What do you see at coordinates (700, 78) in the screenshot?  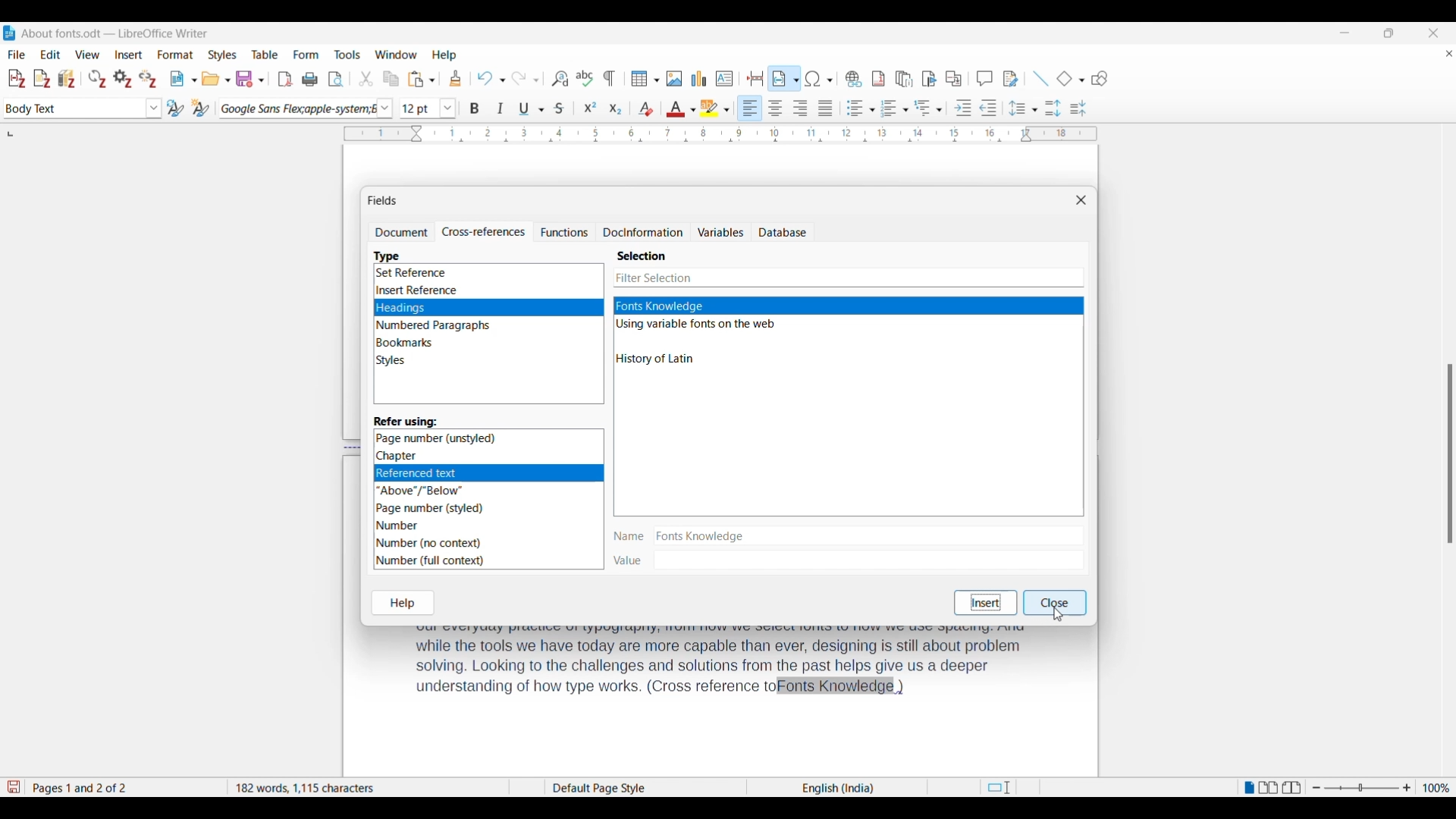 I see `Insert graph` at bounding box center [700, 78].